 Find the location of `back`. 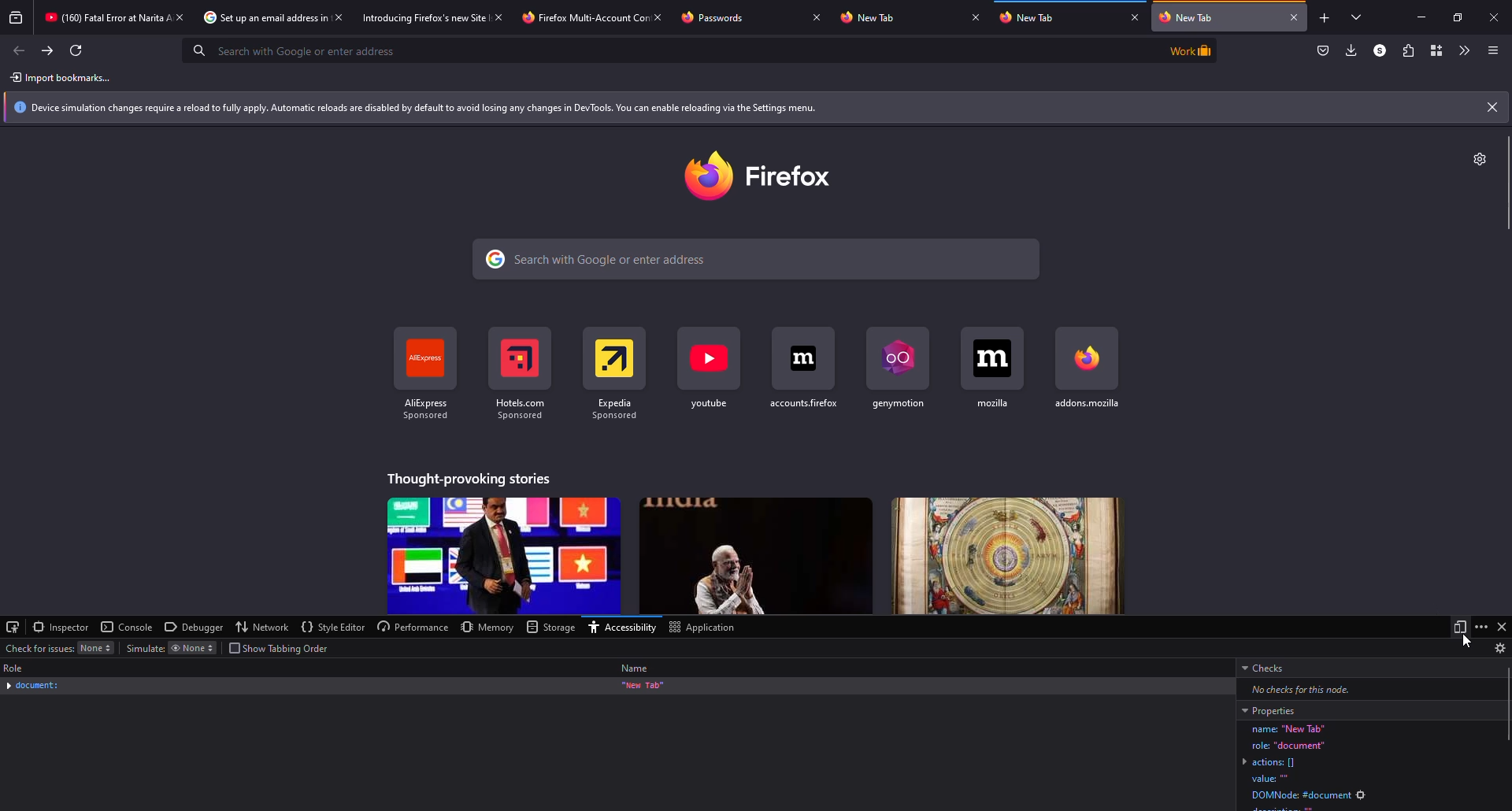

back is located at coordinates (20, 50).